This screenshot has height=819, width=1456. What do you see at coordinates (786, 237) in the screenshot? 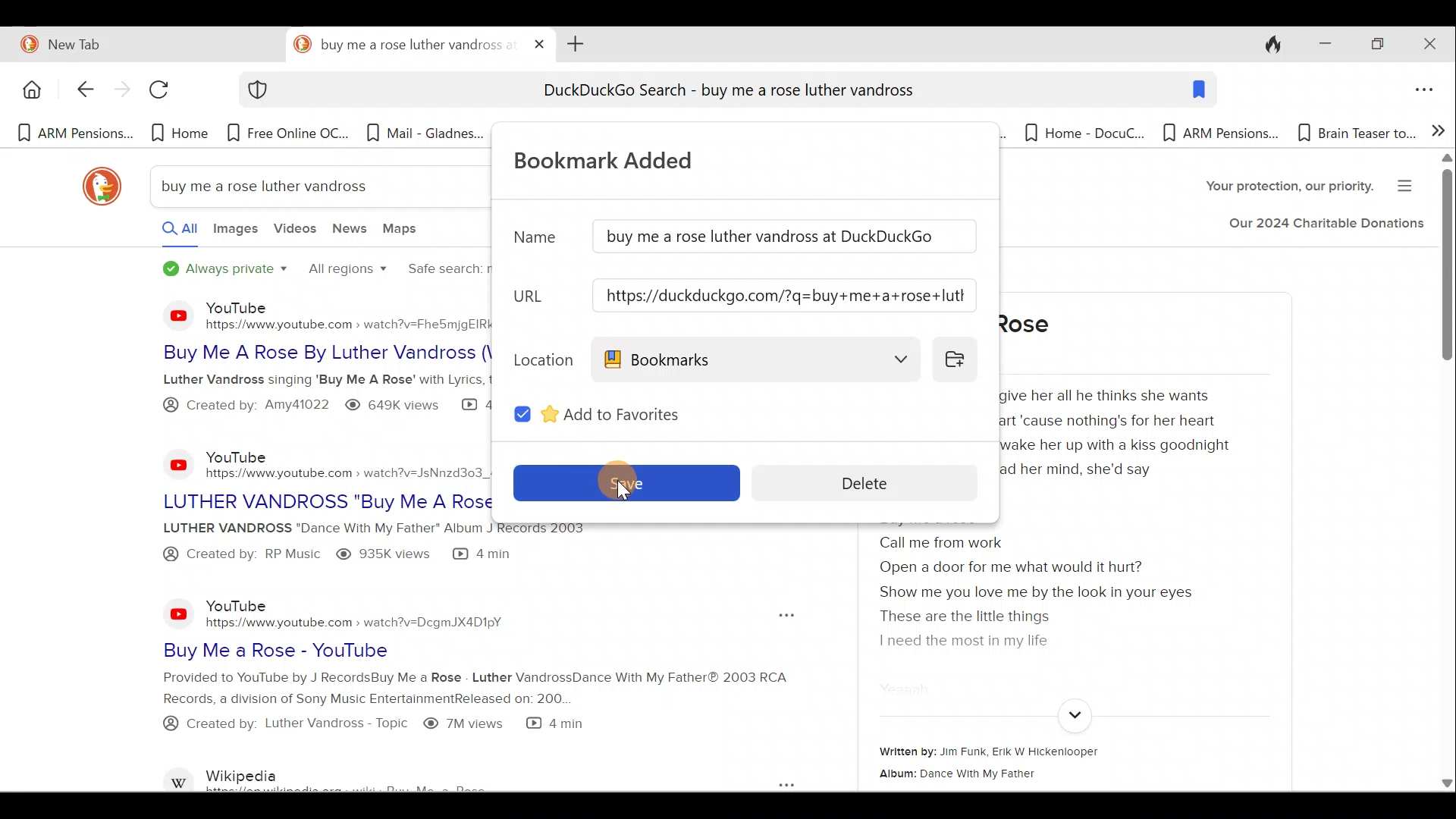
I see `buy me a rose luther vandross at DuckDuckGojll` at bounding box center [786, 237].